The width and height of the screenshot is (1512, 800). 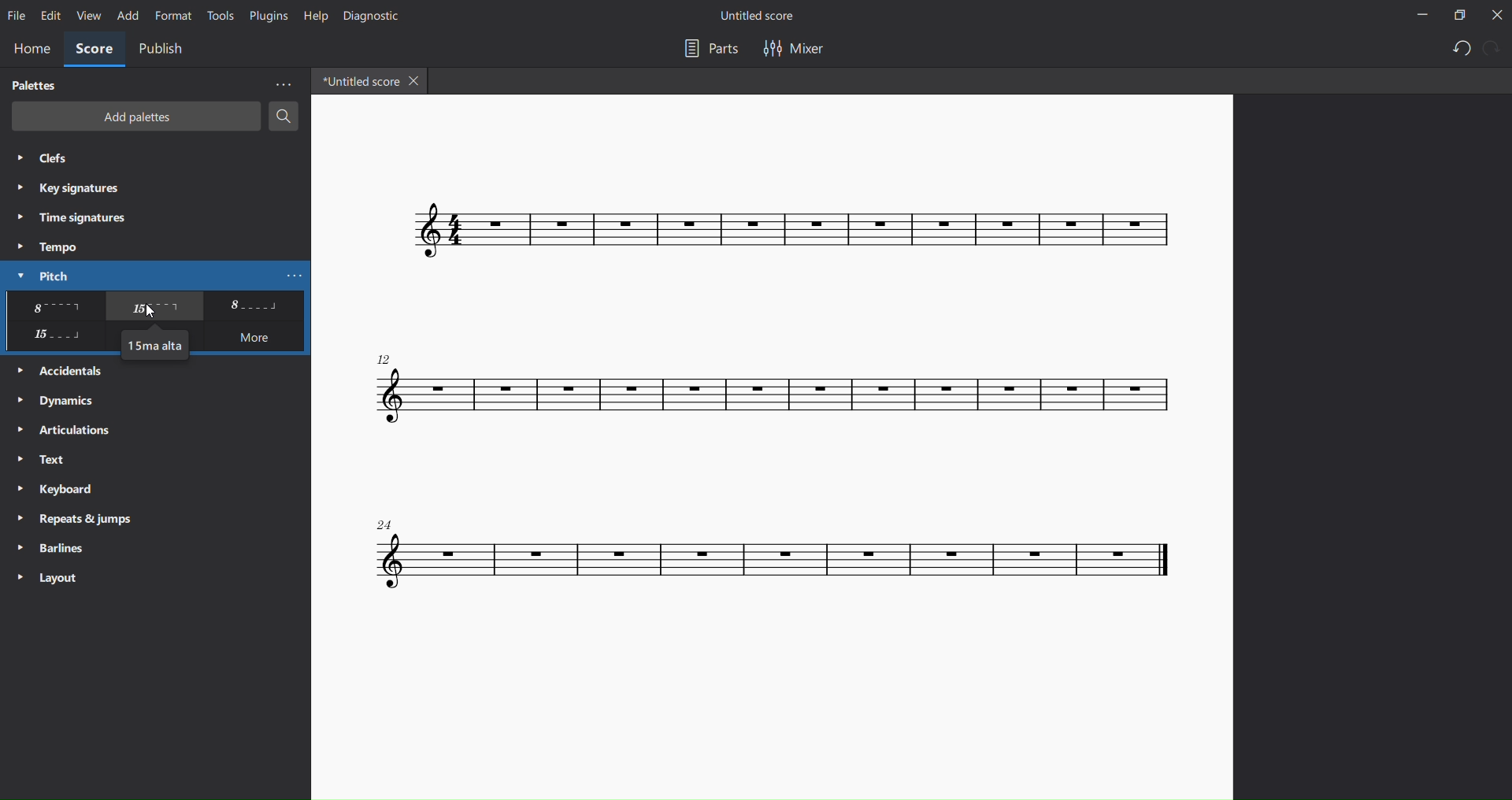 What do you see at coordinates (278, 85) in the screenshot?
I see `more` at bounding box center [278, 85].